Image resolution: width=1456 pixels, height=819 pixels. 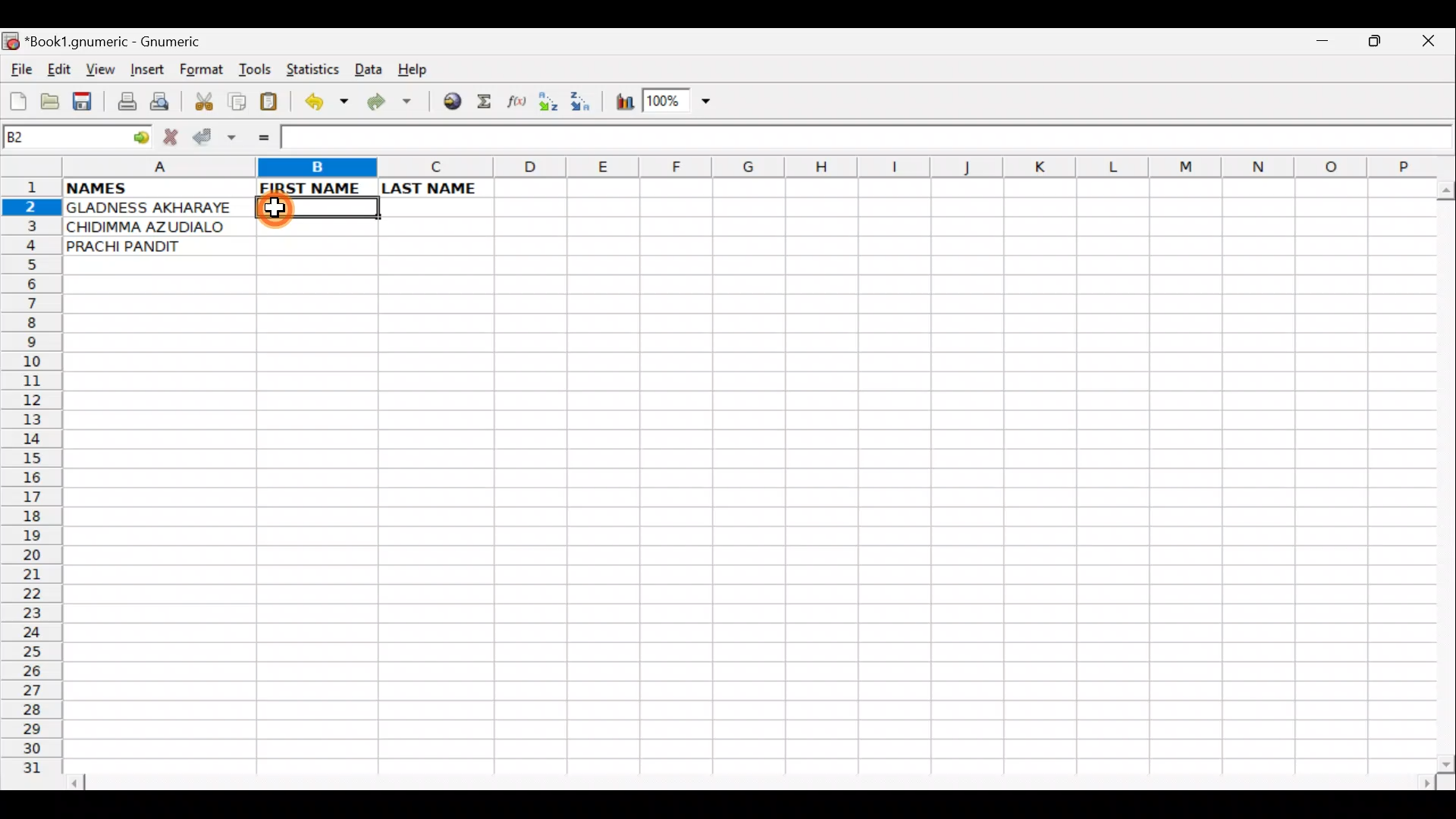 What do you see at coordinates (279, 207) in the screenshot?
I see `Cursor on cell B2` at bounding box center [279, 207].